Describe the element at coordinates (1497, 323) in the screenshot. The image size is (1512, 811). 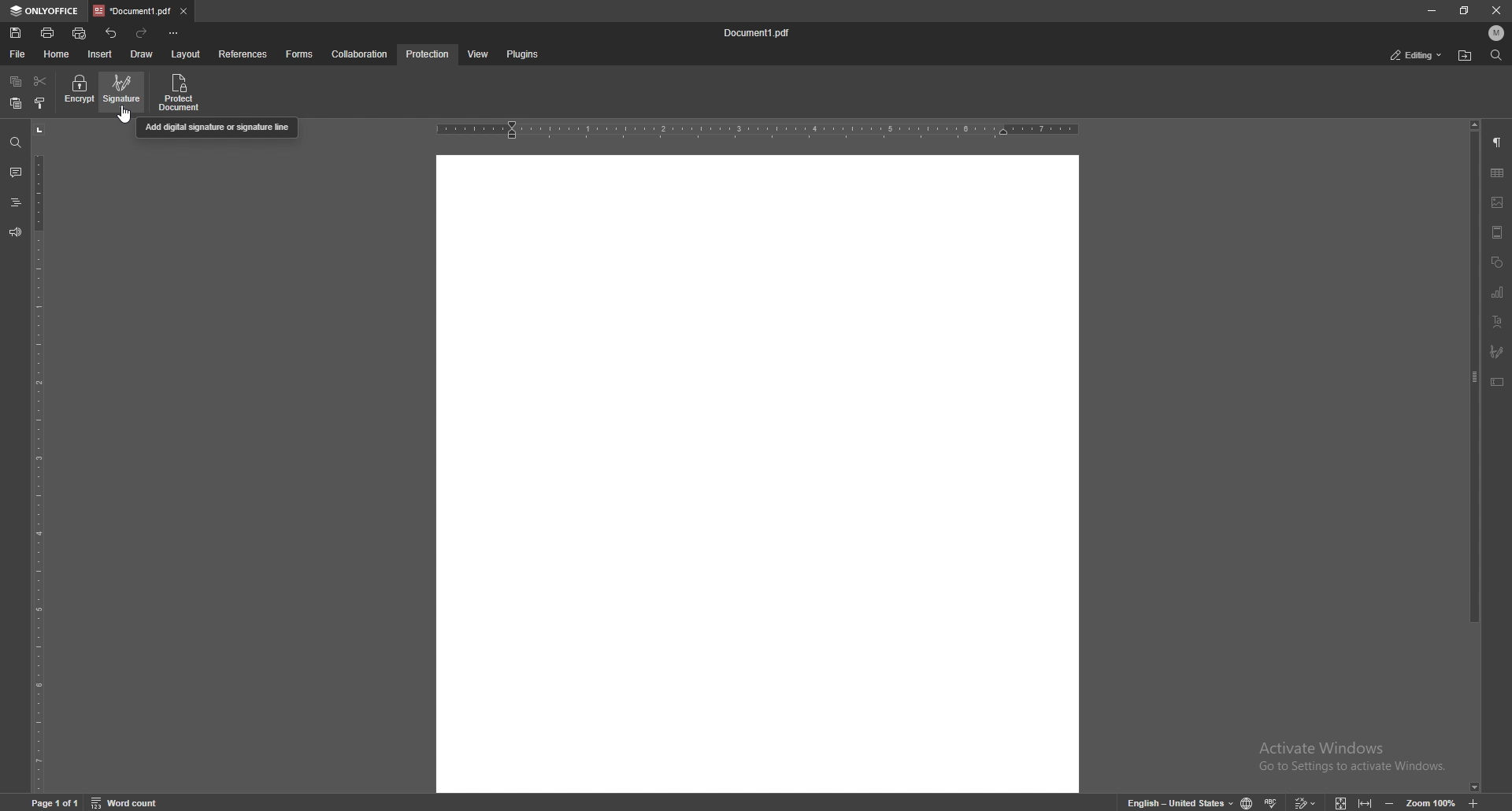
I see `text art` at that location.